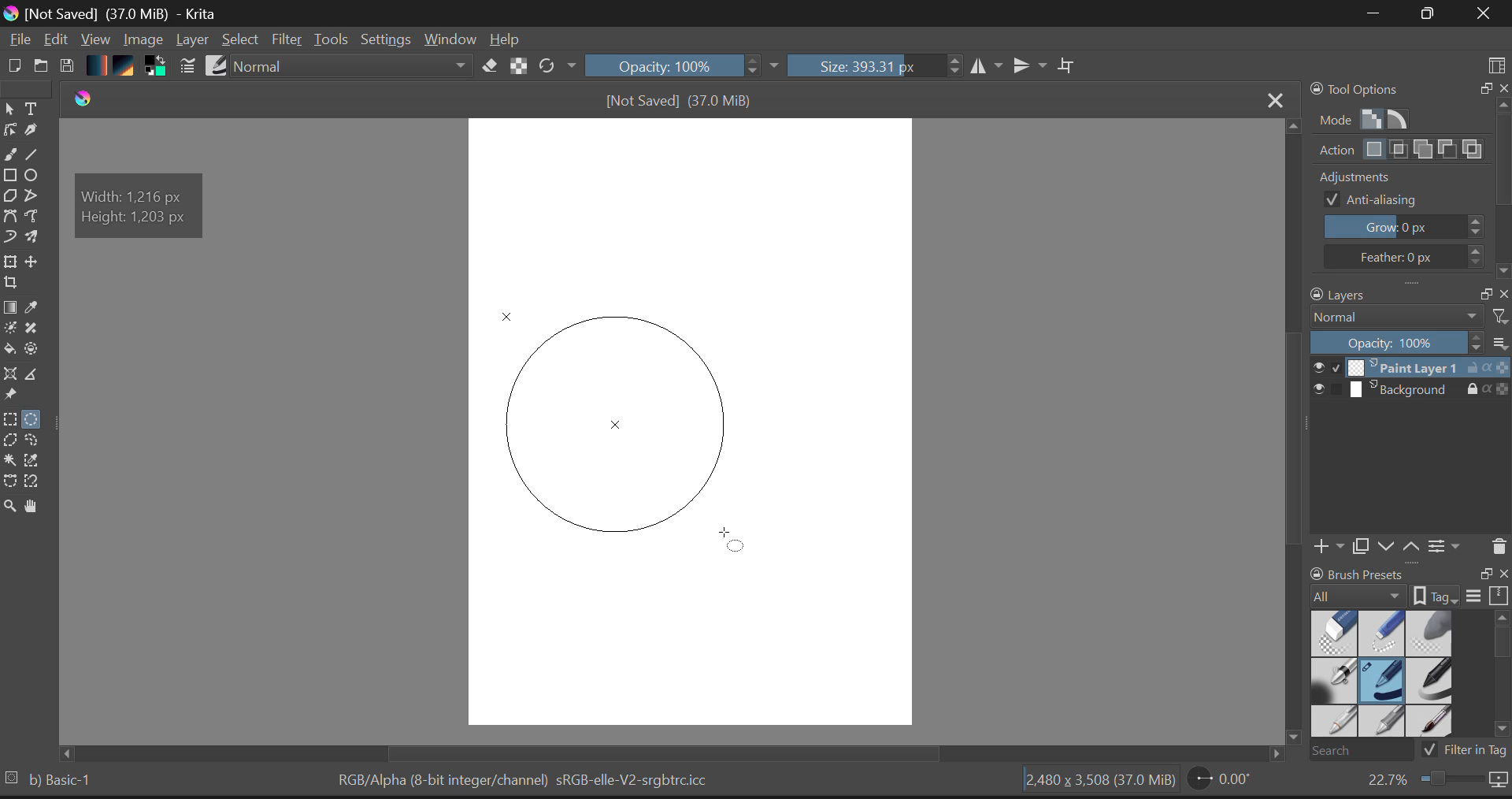  What do you see at coordinates (11, 349) in the screenshot?
I see `Fill` at bounding box center [11, 349].